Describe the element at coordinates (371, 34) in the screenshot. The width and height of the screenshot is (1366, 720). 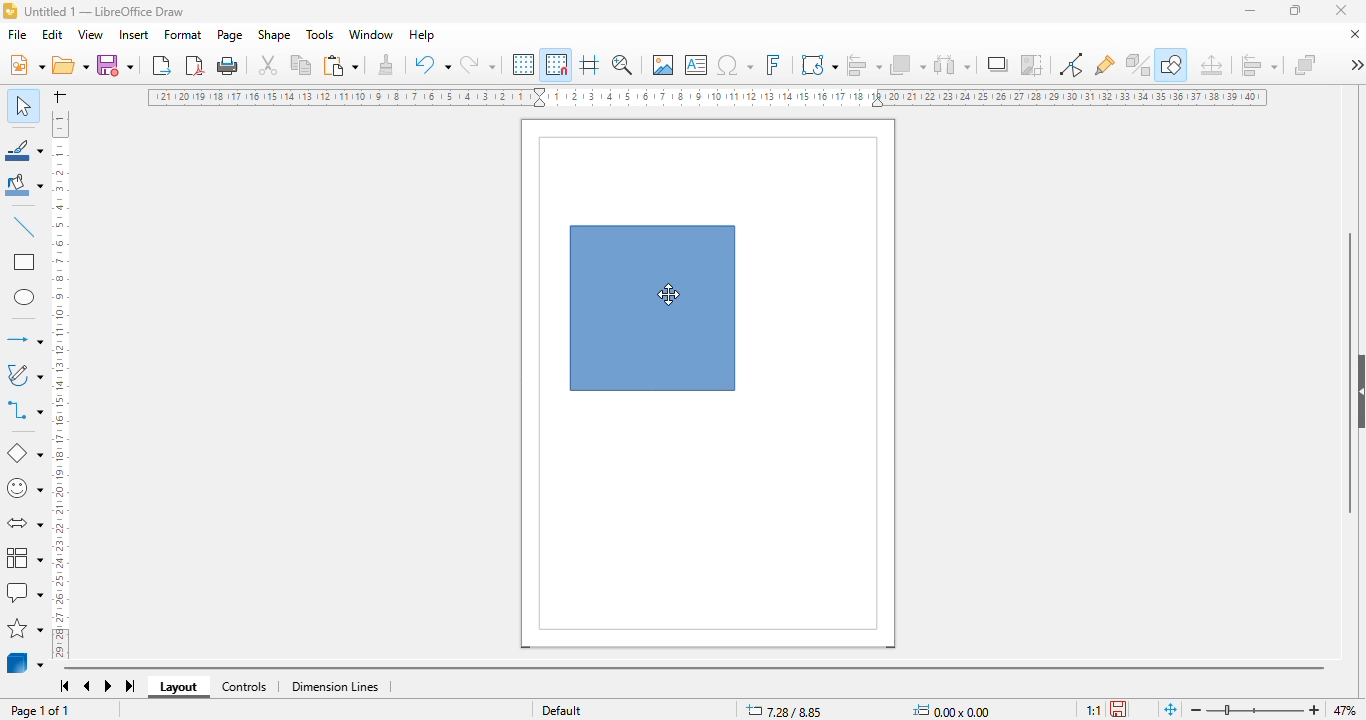
I see `window` at that location.